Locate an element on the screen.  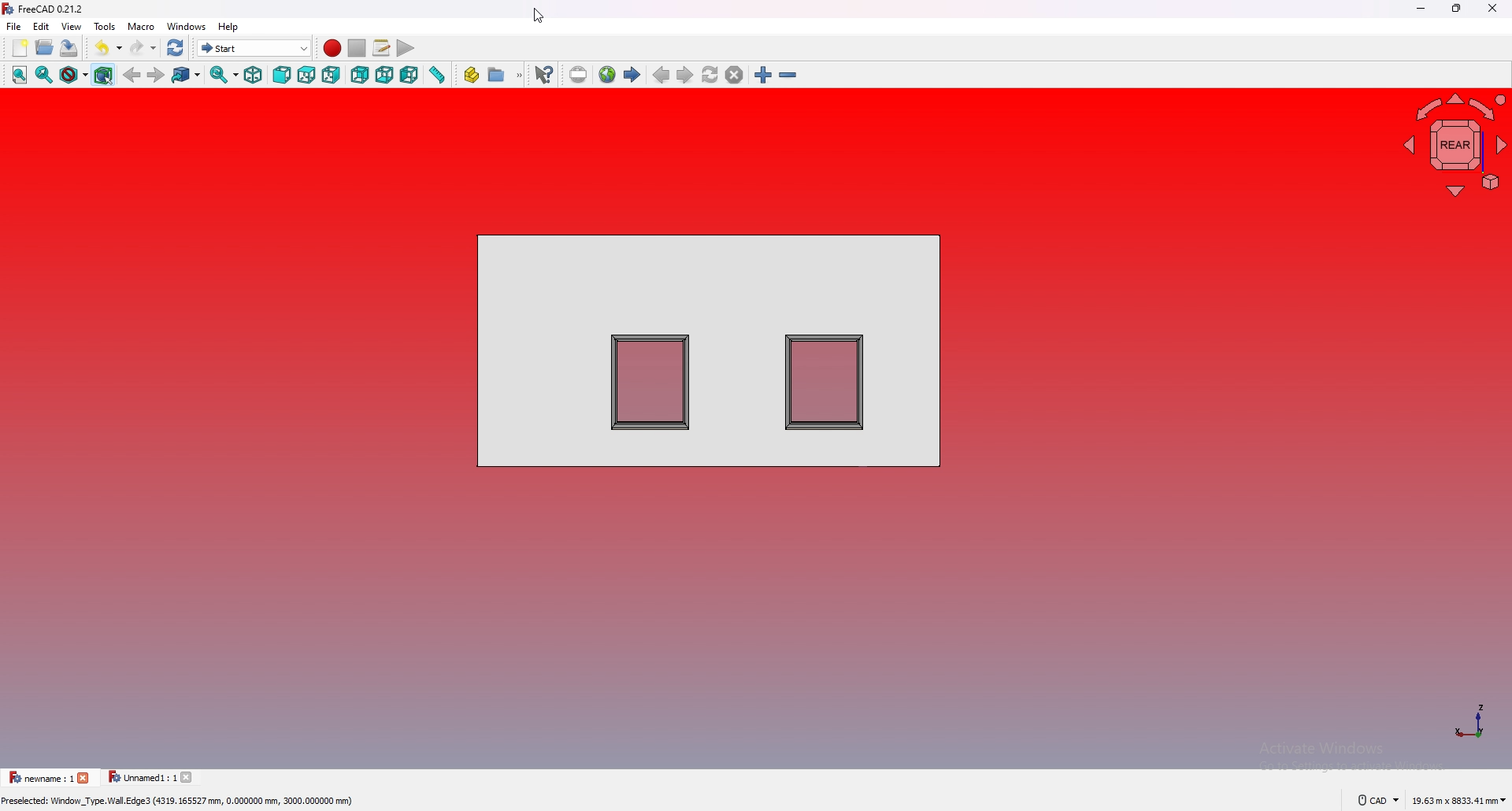
open website is located at coordinates (607, 74).